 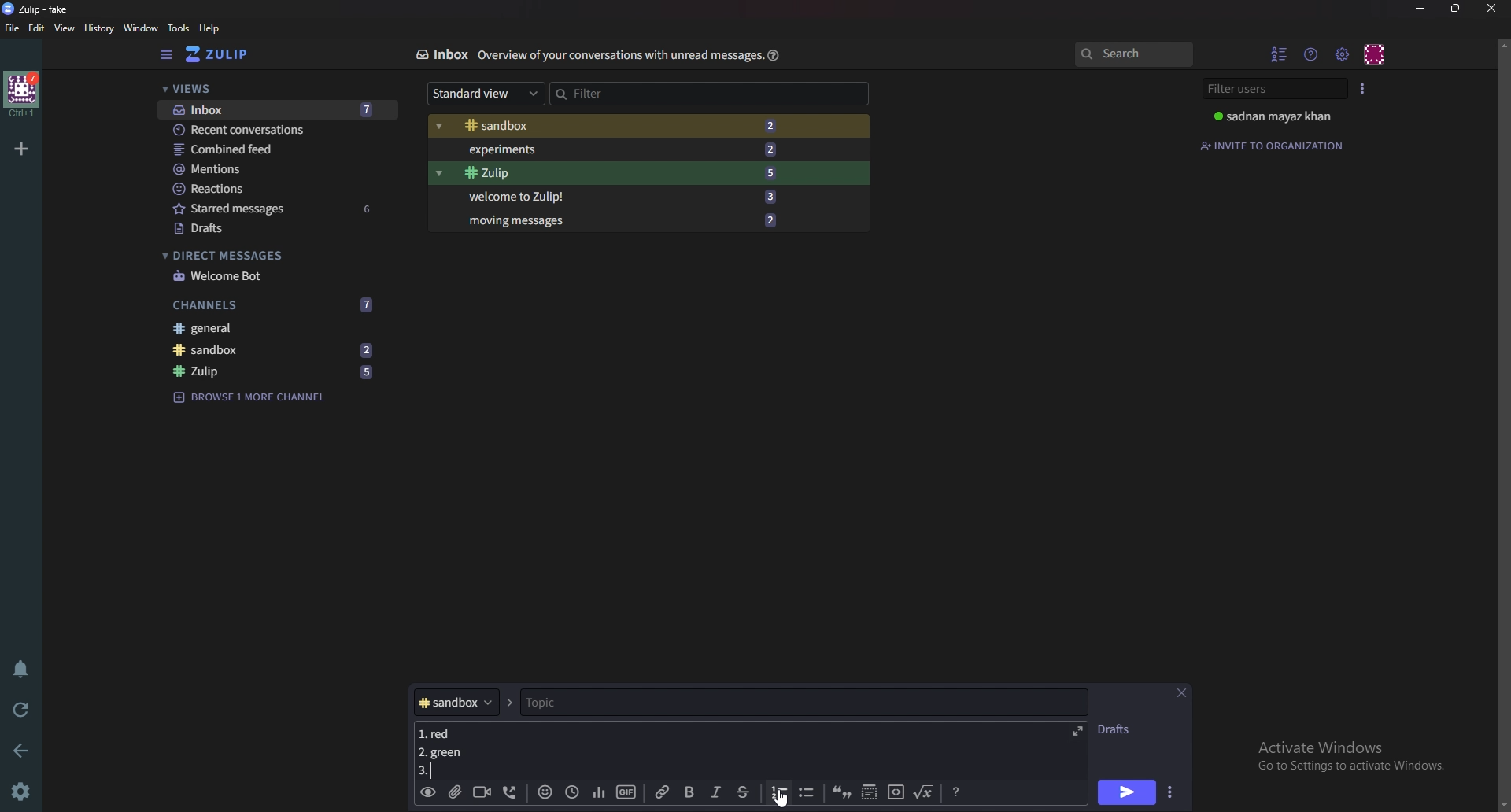 I want to click on Tools, so click(x=178, y=28).